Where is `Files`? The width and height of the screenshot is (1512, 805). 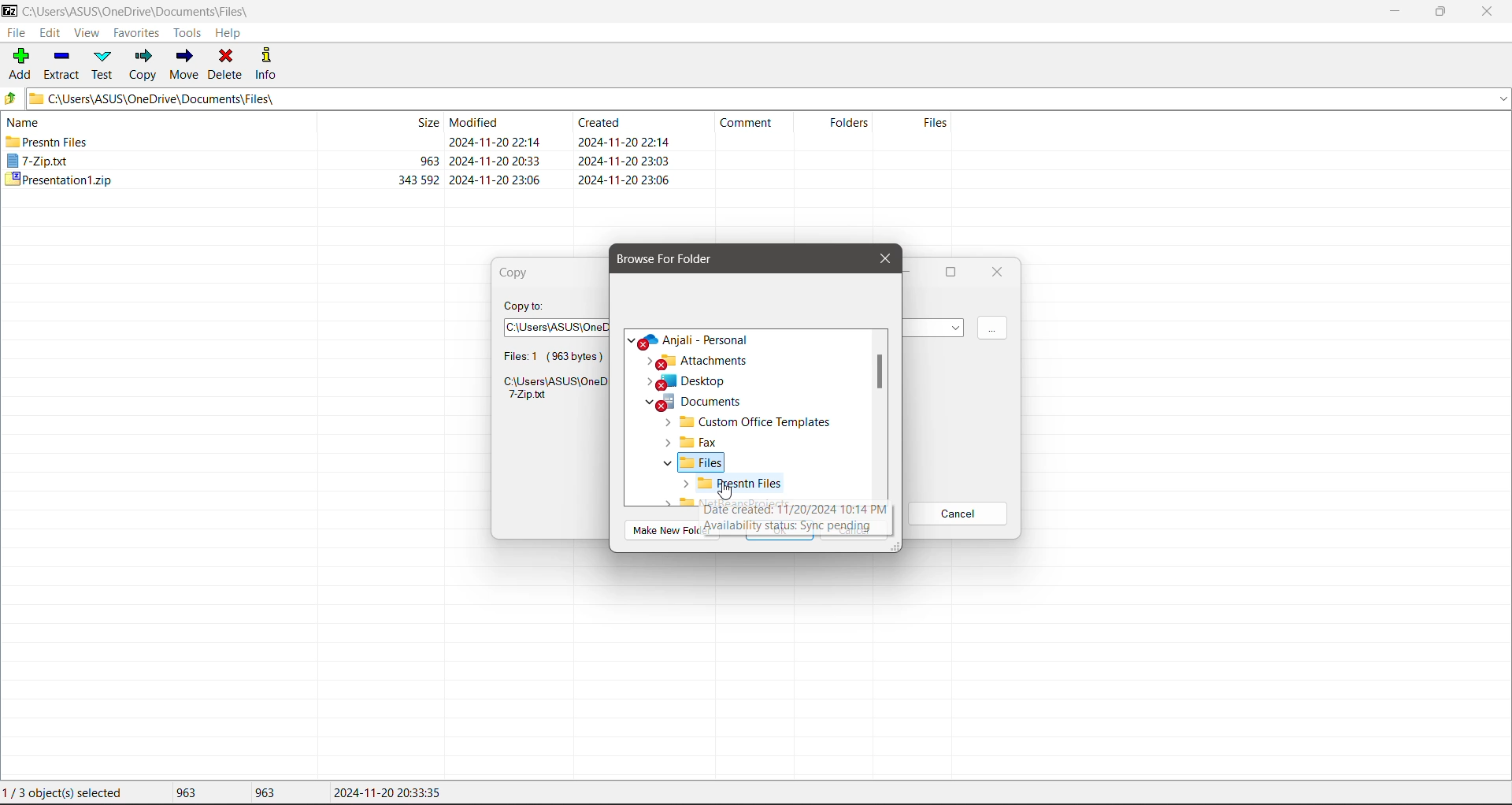
Files is located at coordinates (691, 463).